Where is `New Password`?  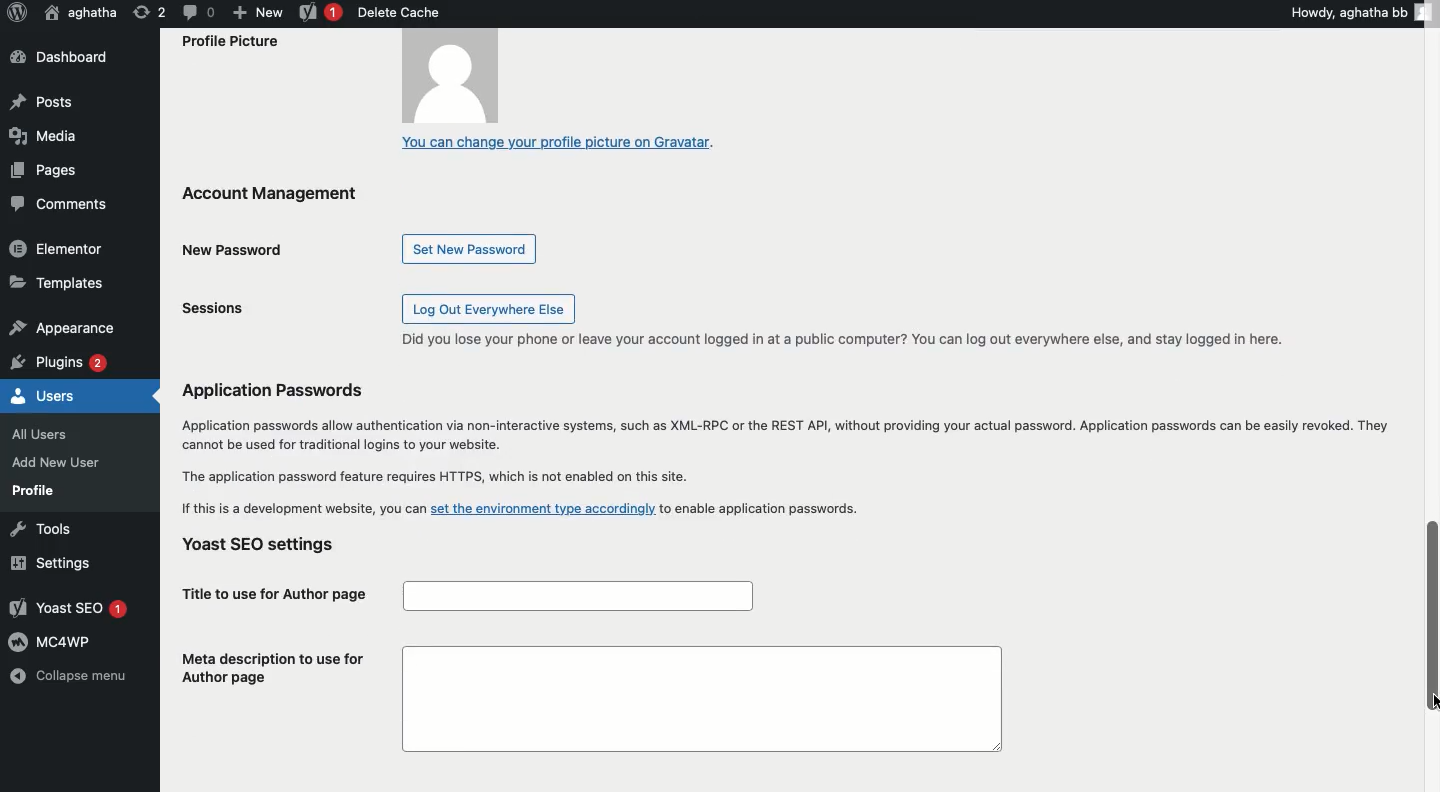 New Password is located at coordinates (237, 250).